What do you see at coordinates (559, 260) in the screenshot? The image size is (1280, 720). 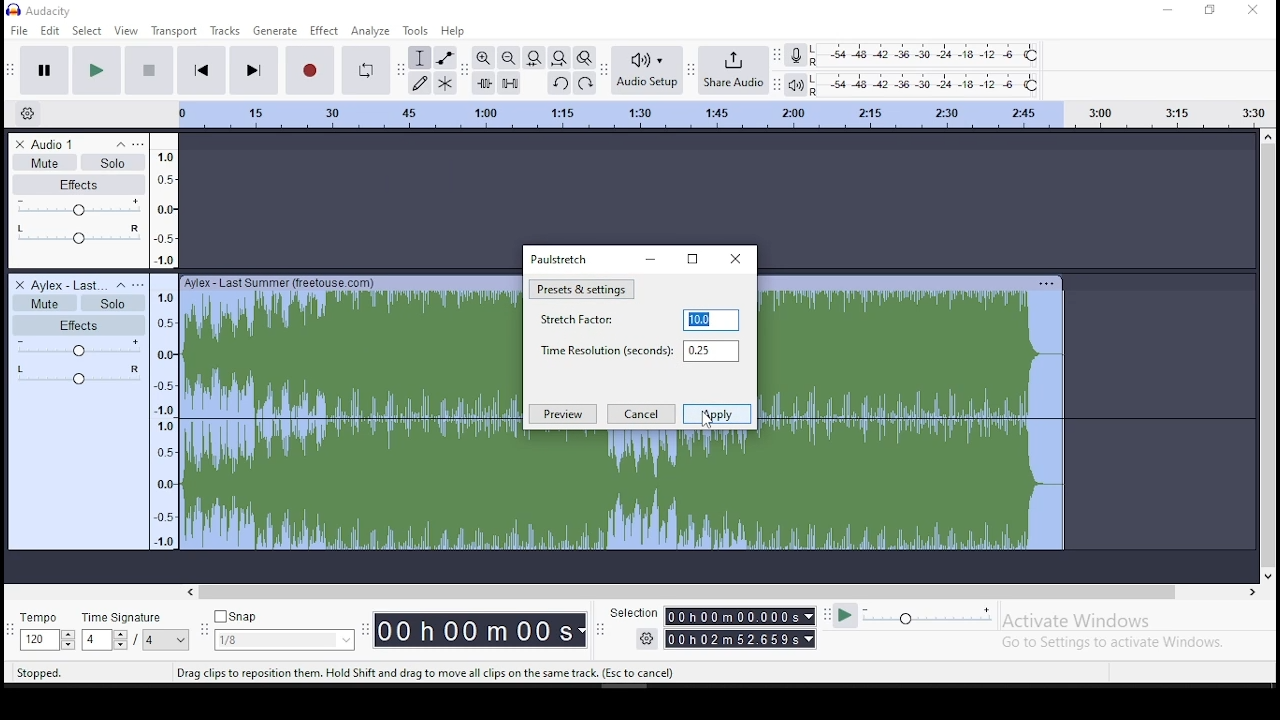 I see `paulstretch` at bounding box center [559, 260].